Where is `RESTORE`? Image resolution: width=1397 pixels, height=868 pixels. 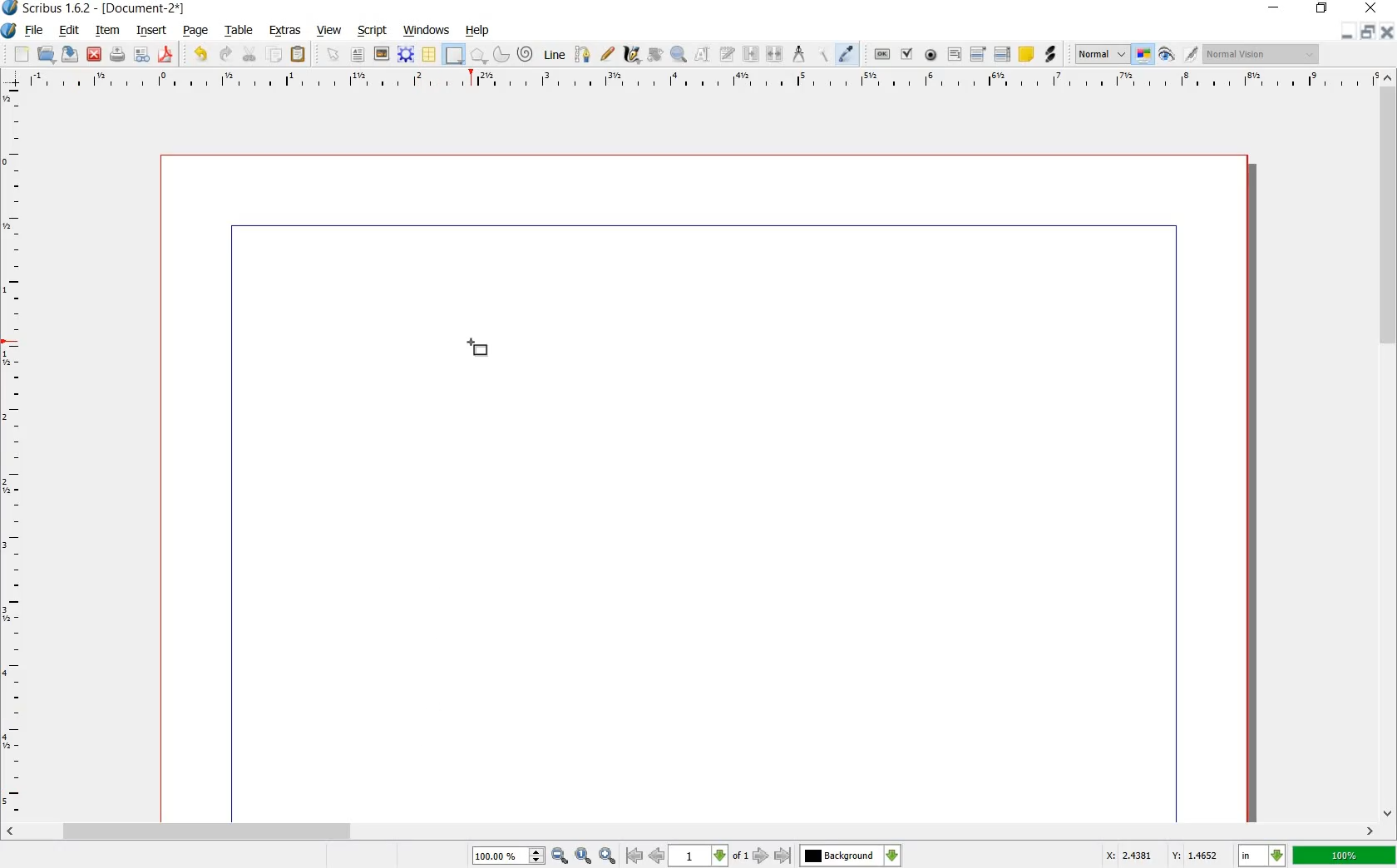
RESTORE is located at coordinates (1320, 11).